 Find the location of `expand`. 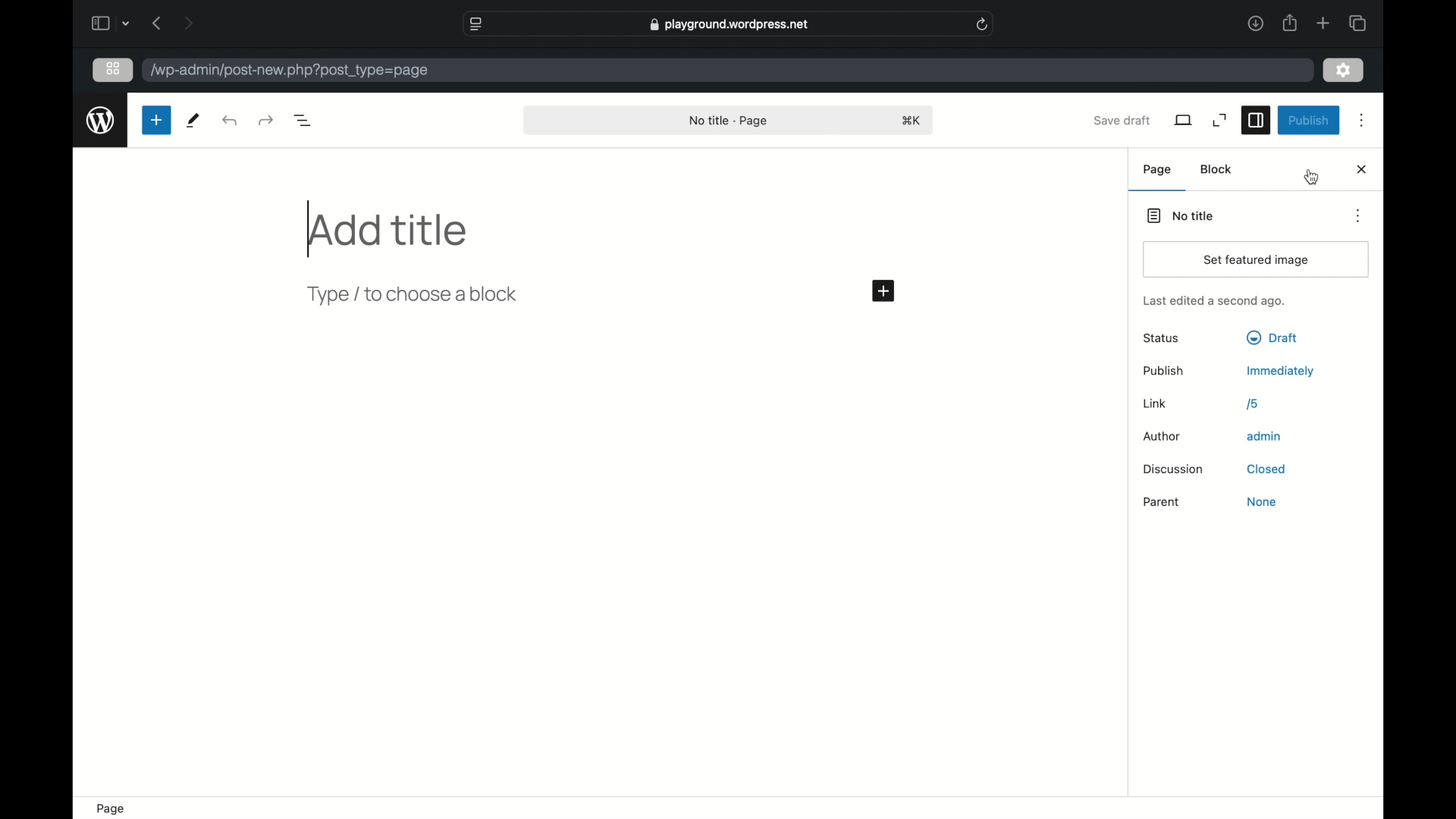

expand is located at coordinates (1221, 121).